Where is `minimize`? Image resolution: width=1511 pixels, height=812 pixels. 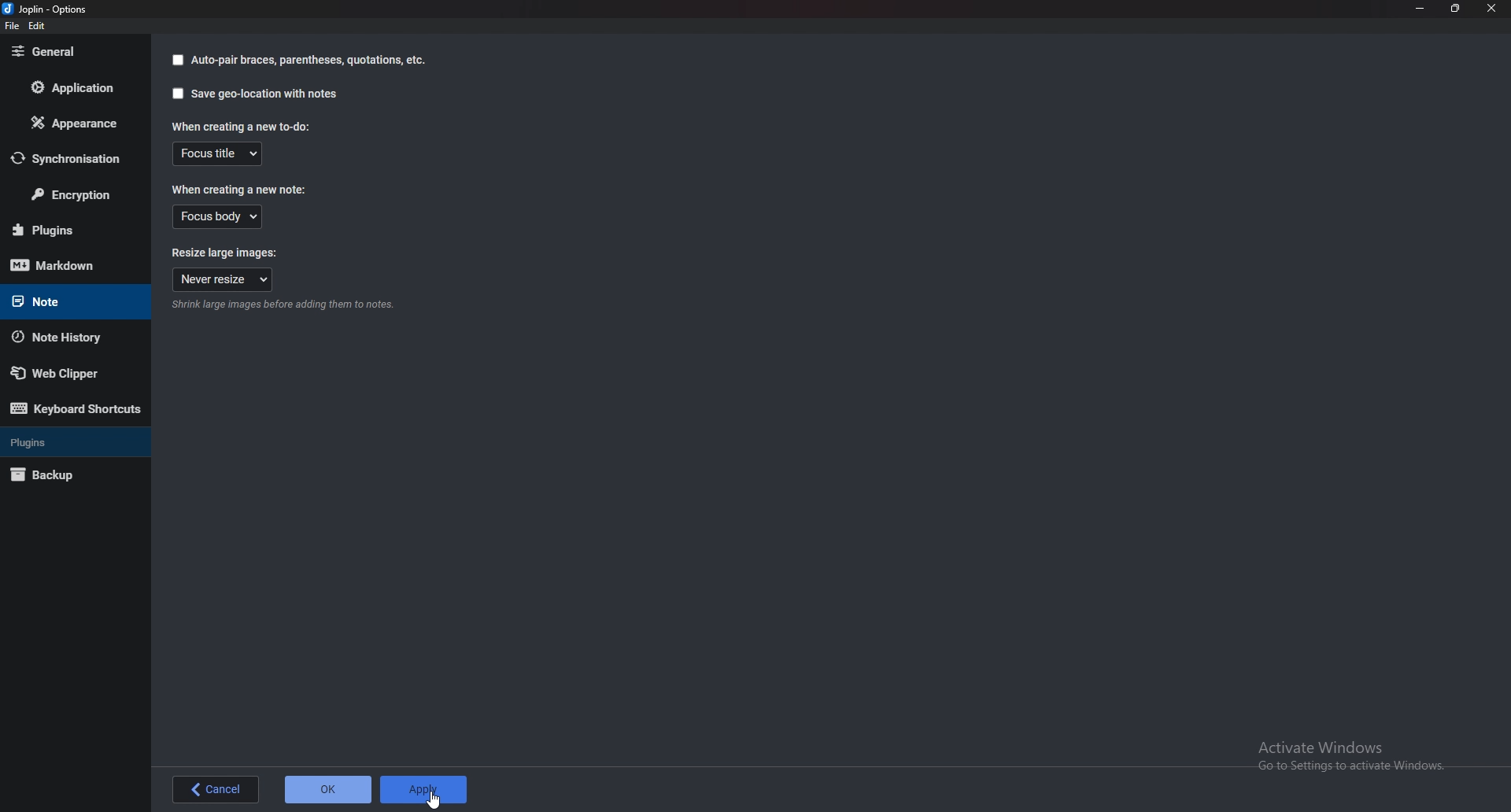 minimize is located at coordinates (1418, 9).